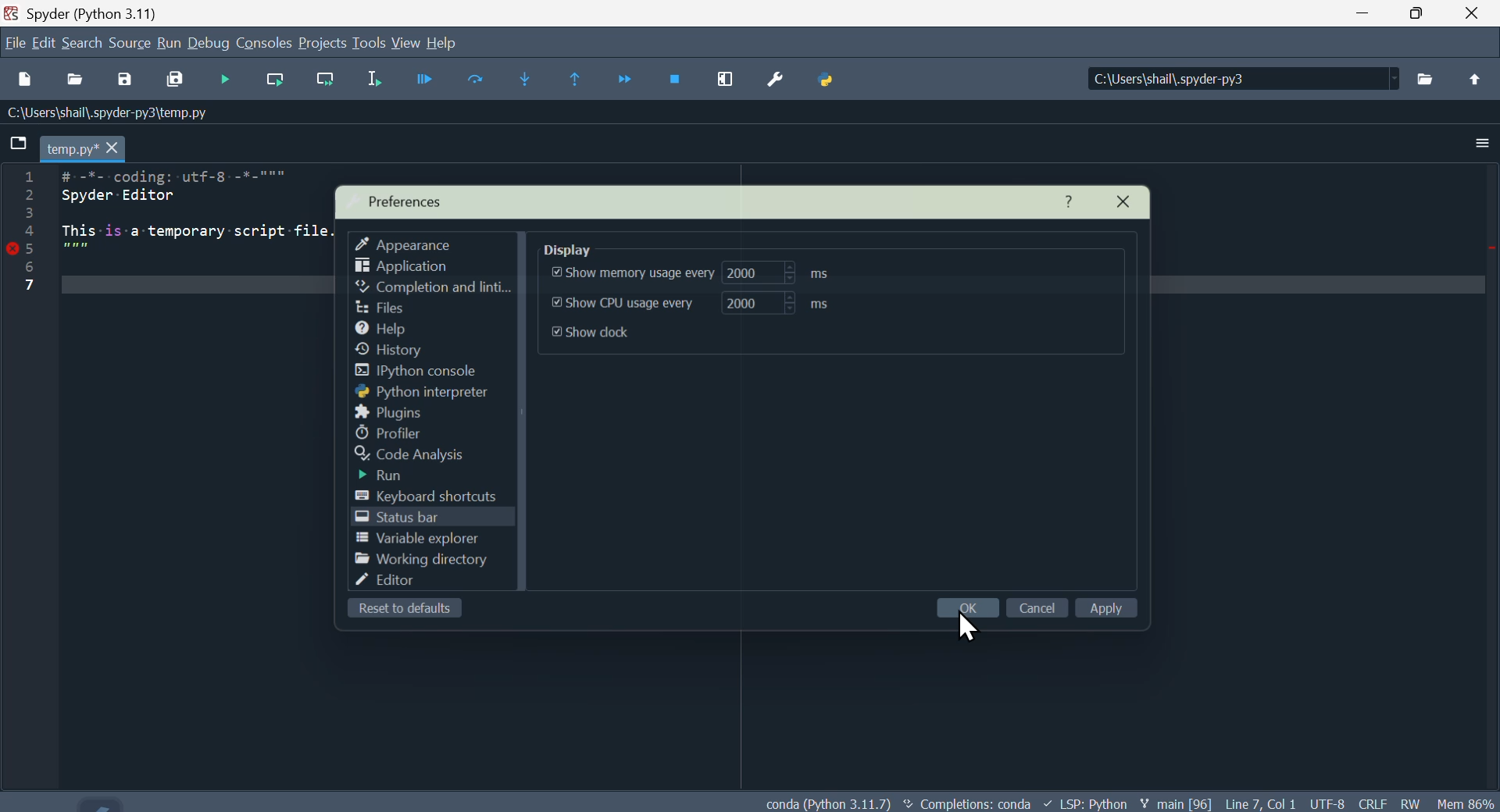 This screenshot has height=812, width=1500. I want to click on Plugins, so click(385, 412).